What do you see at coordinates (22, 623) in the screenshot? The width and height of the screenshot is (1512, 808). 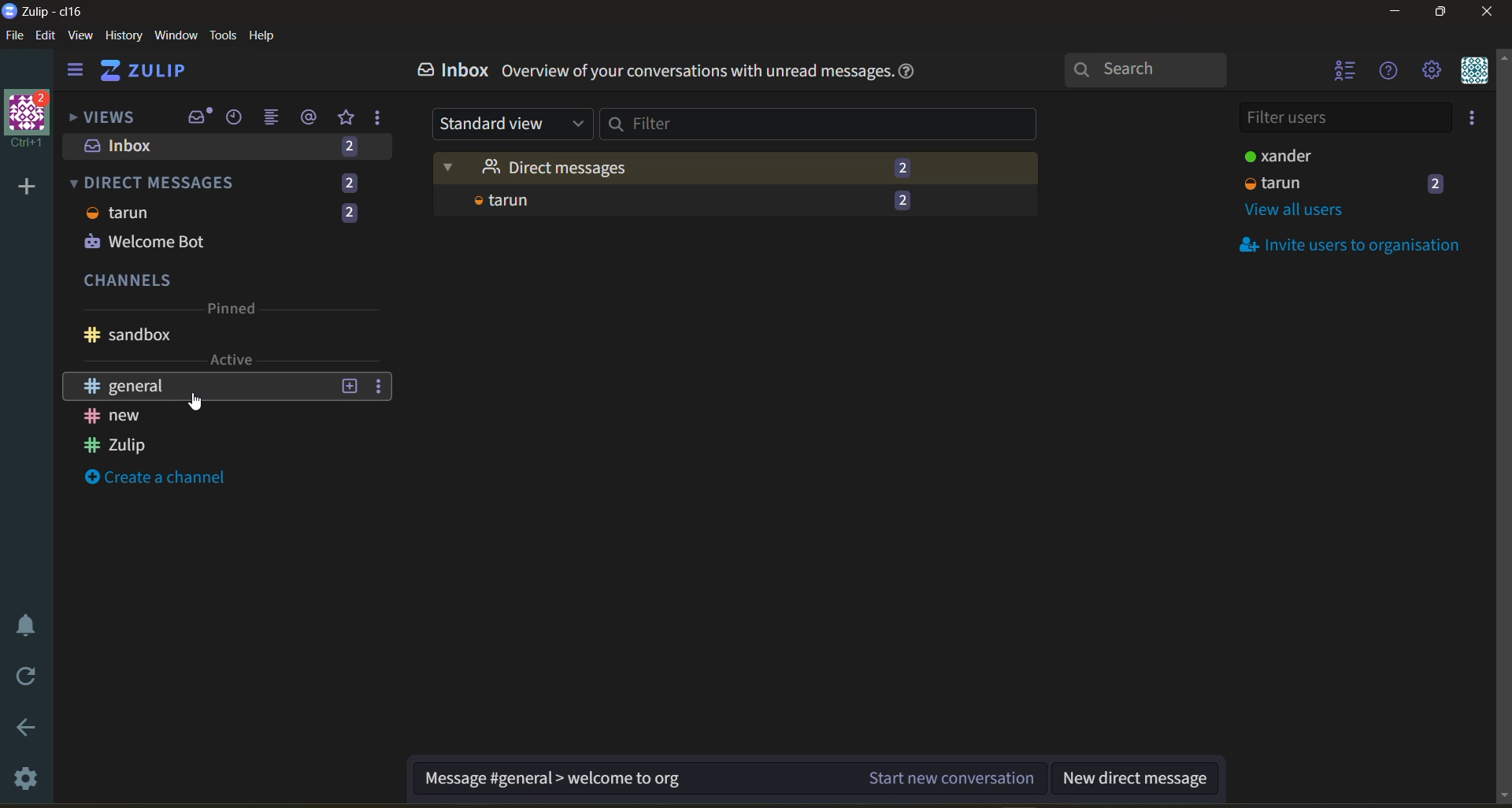 I see `enable do not disturb` at bounding box center [22, 623].